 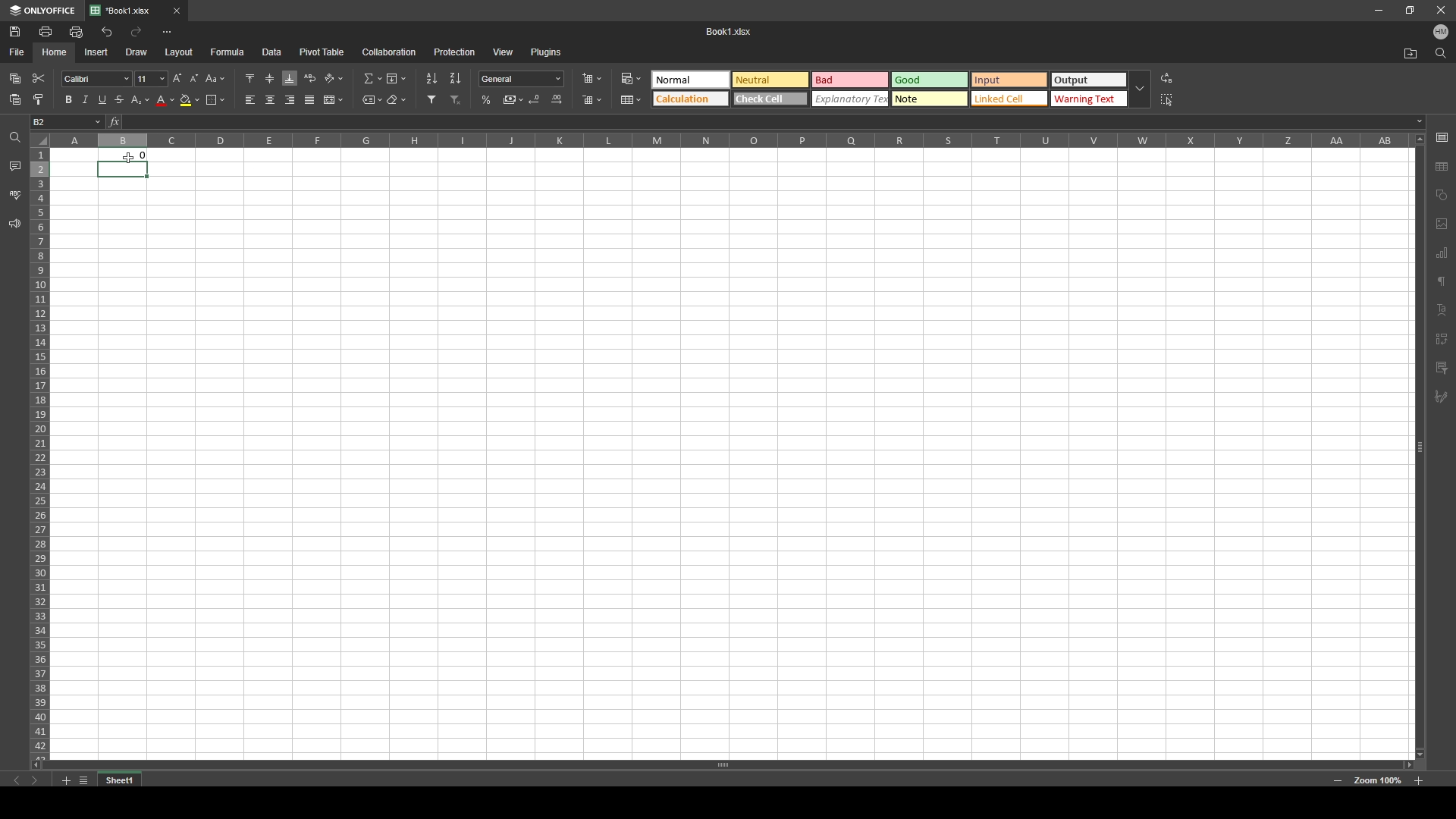 What do you see at coordinates (216, 78) in the screenshot?
I see `change case` at bounding box center [216, 78].